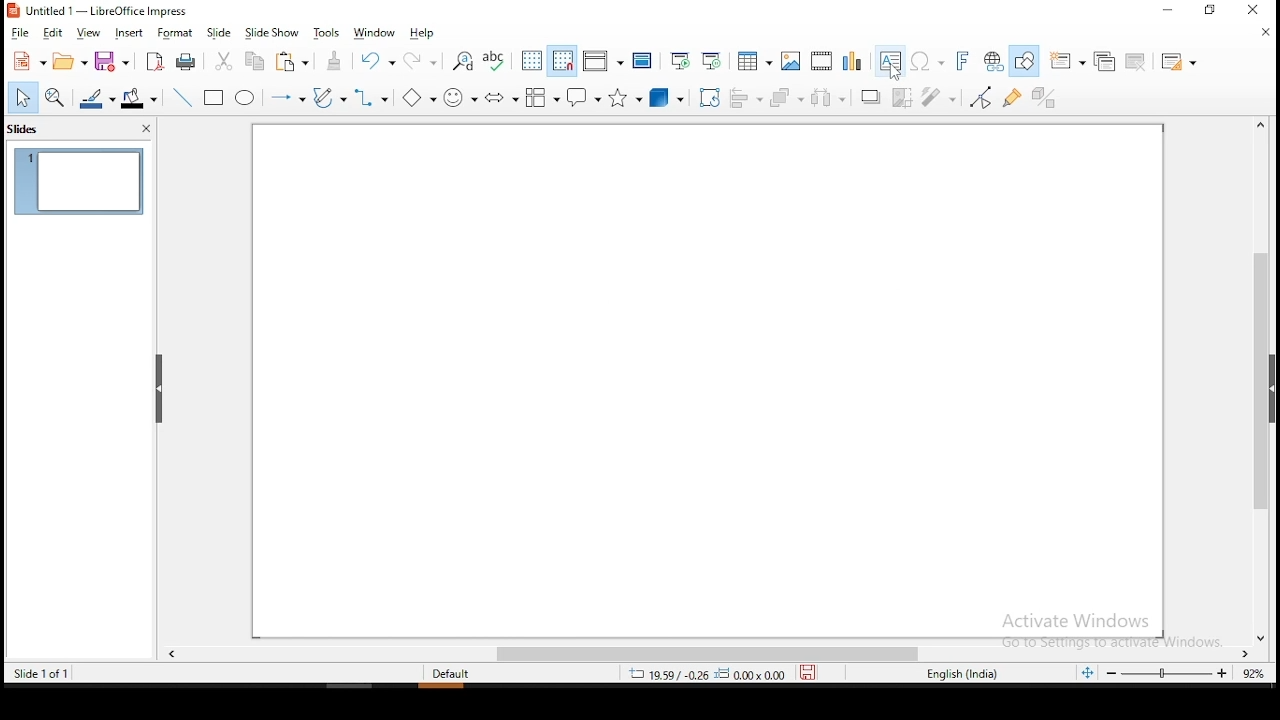 Image resolution: width=1280 pixels, height=720 pixels. Describe the element at coordinates (182, 99) in the screenshot. I see `line` at that location.